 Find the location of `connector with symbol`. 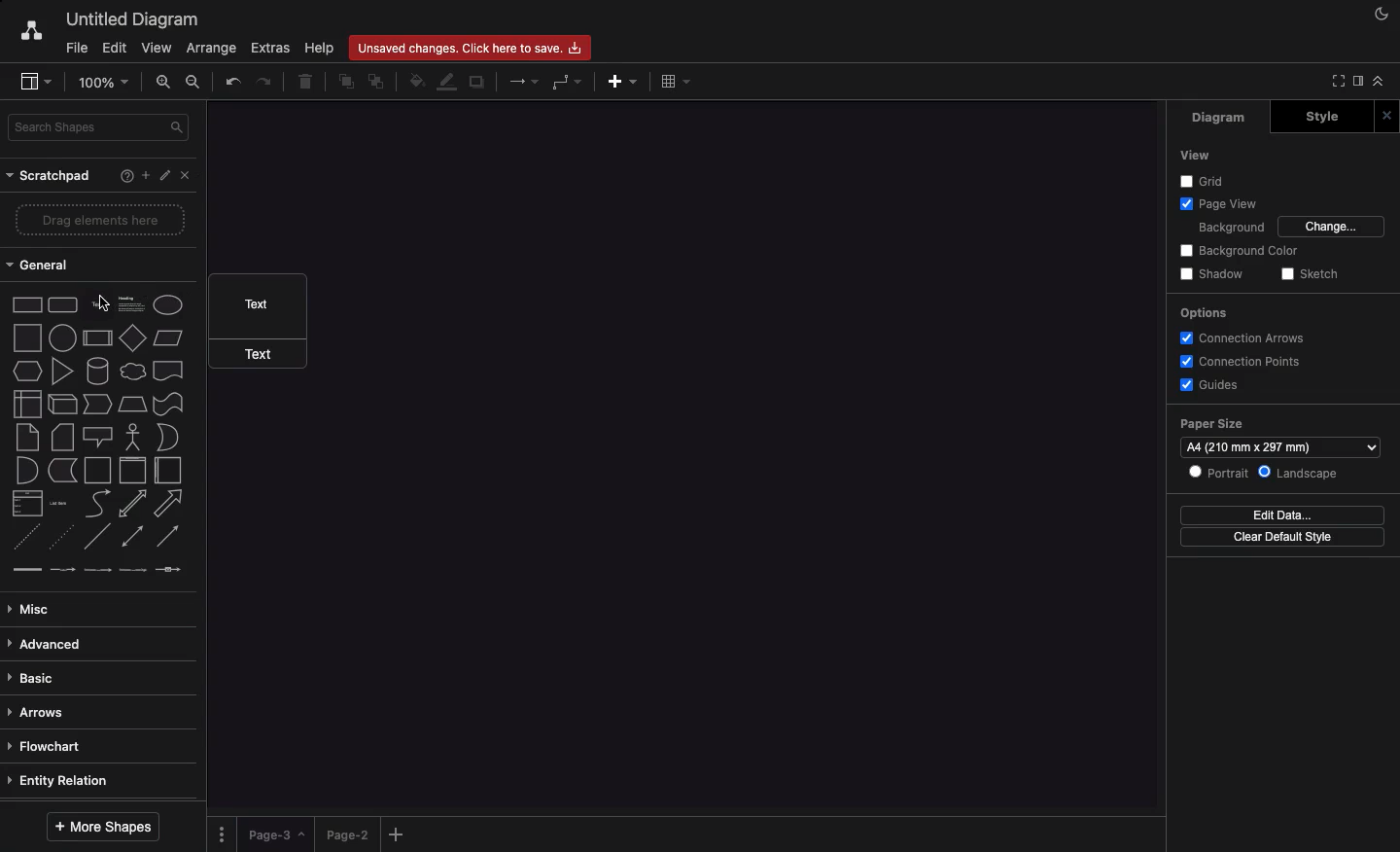

connector with symbol is located at coordinates (171, 569).